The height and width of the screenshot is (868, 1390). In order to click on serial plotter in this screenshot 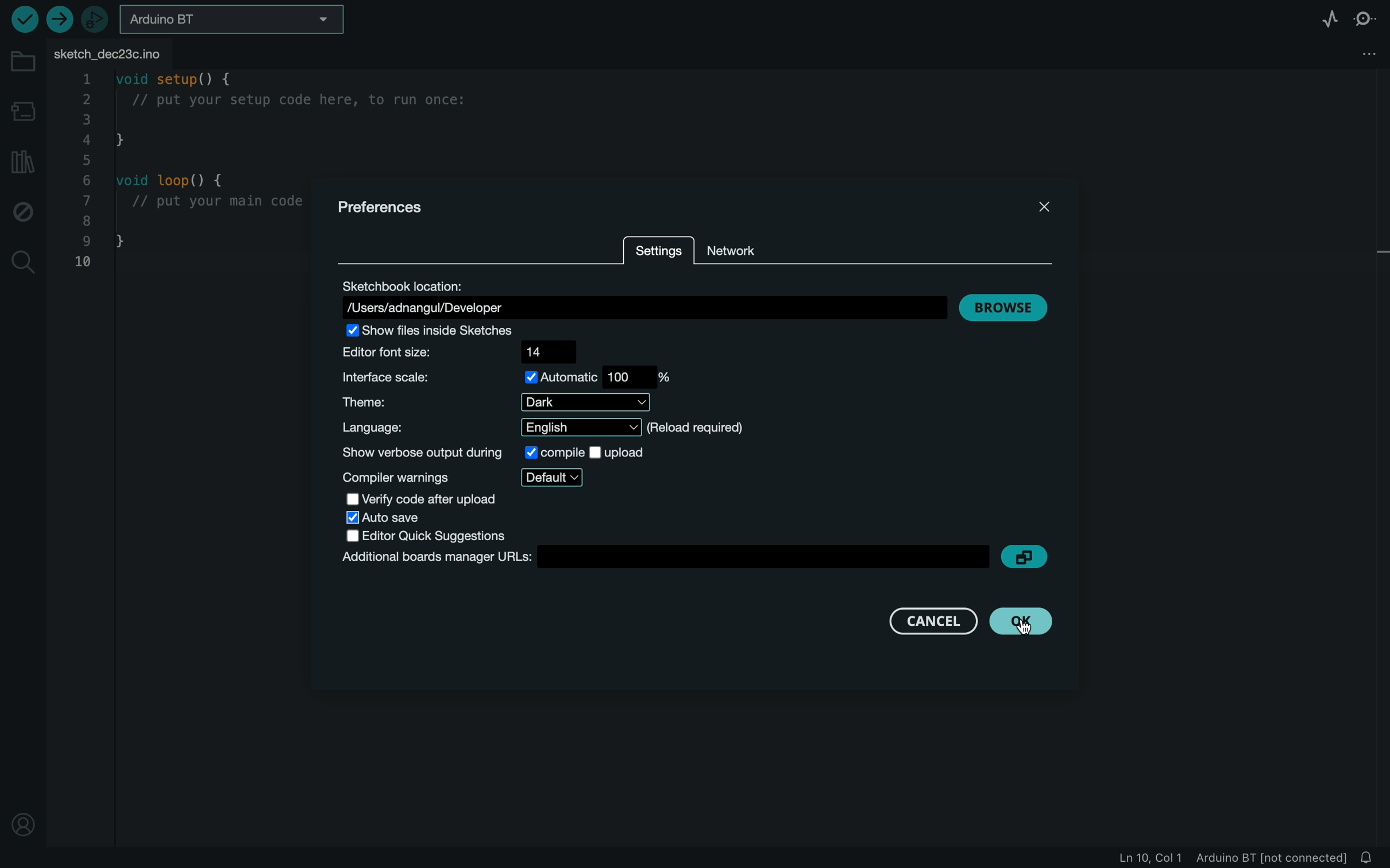, I will do `click(1325, 18)`.